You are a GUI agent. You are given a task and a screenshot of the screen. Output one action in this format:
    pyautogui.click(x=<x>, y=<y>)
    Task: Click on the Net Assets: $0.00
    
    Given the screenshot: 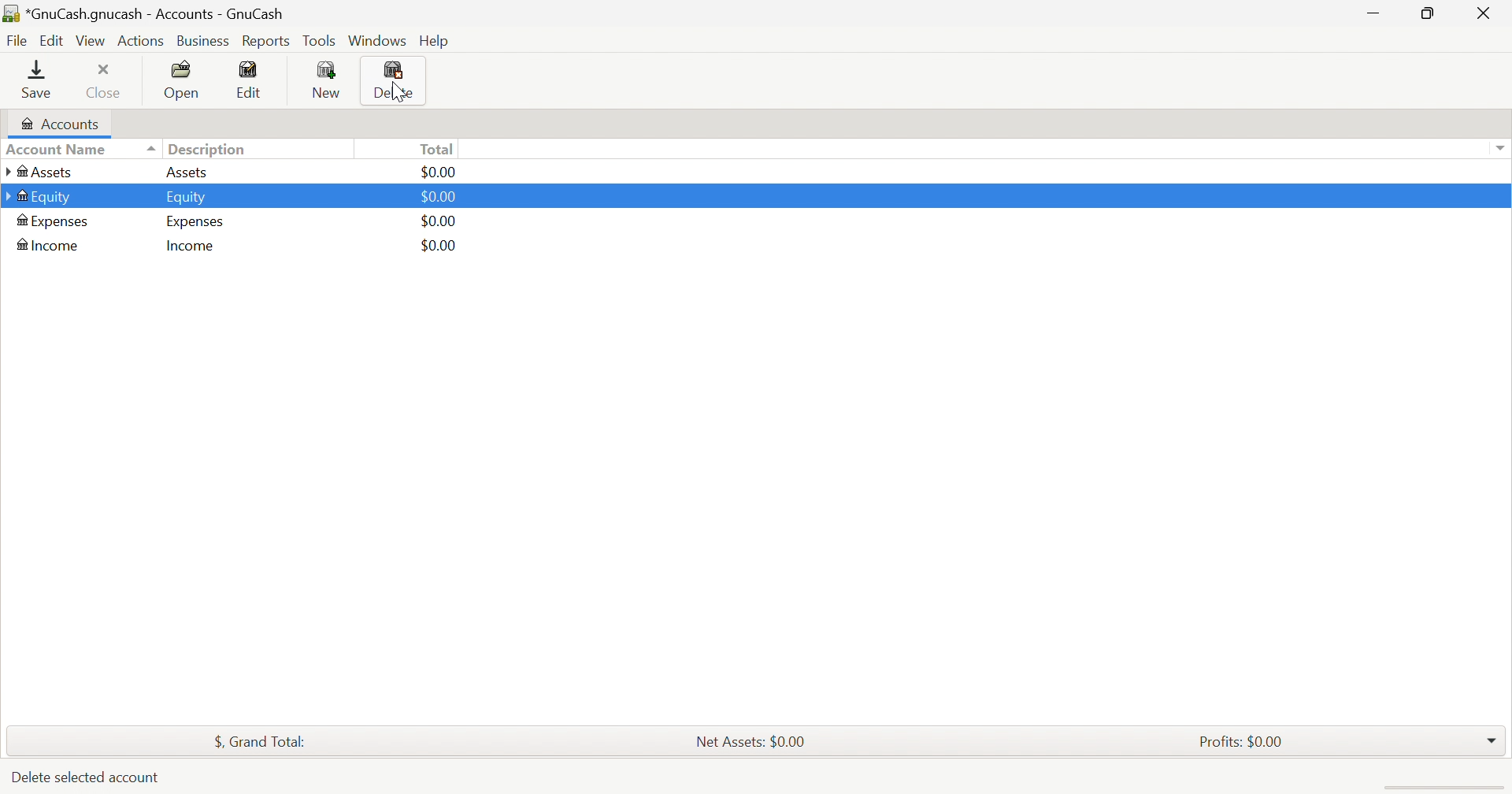 What is the action you would take?
    pyautogui.click(x=744, y=740)
    